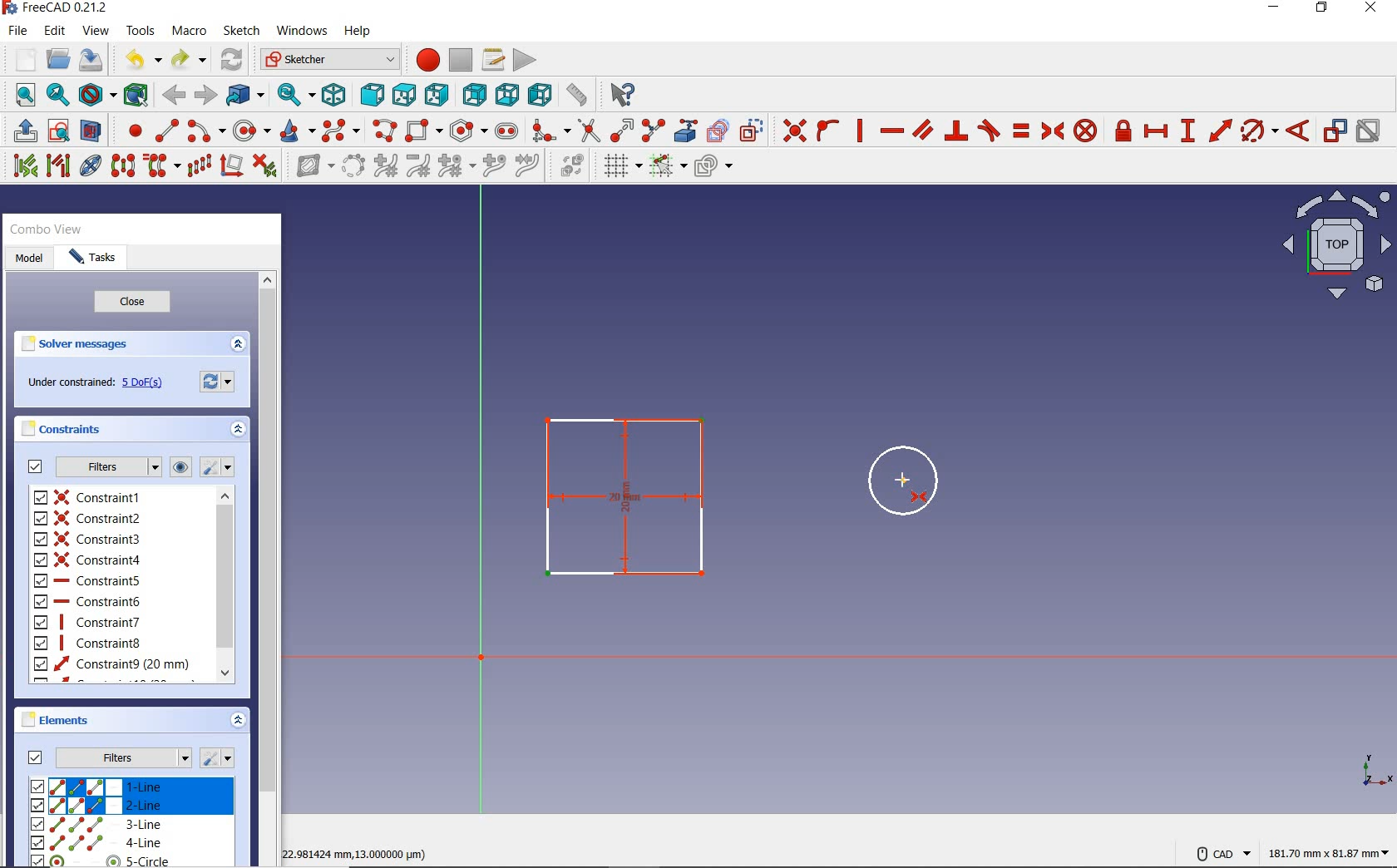  What do you see at coordinates (88, 539) in the screenshot?
I see `constraint3` at bounding box center [88, 539].